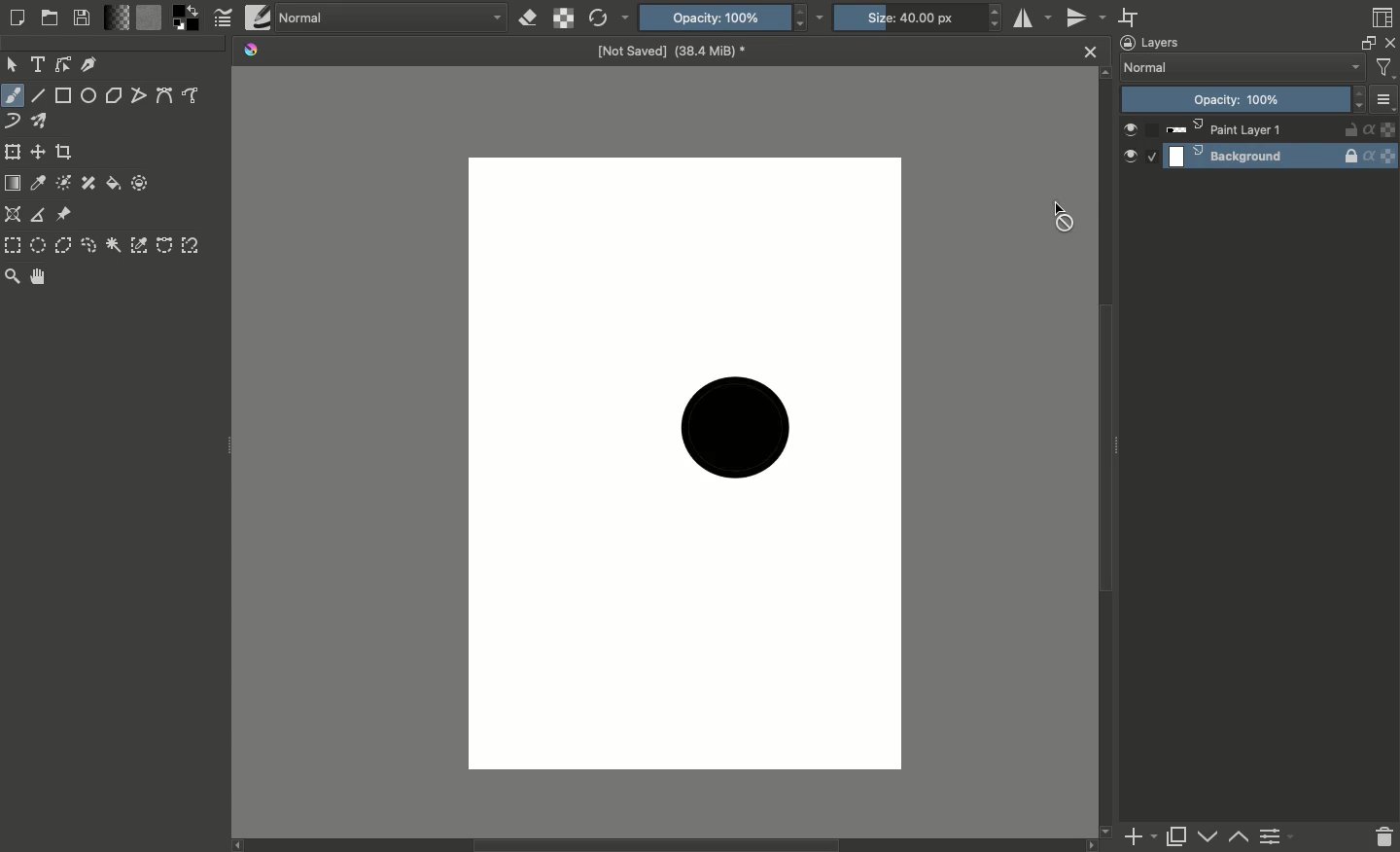 The width and height of the screenshot is (1400, 852). Describe the element at coordinates (1351, 157) in the screenshot. I see `Locked` at that location.